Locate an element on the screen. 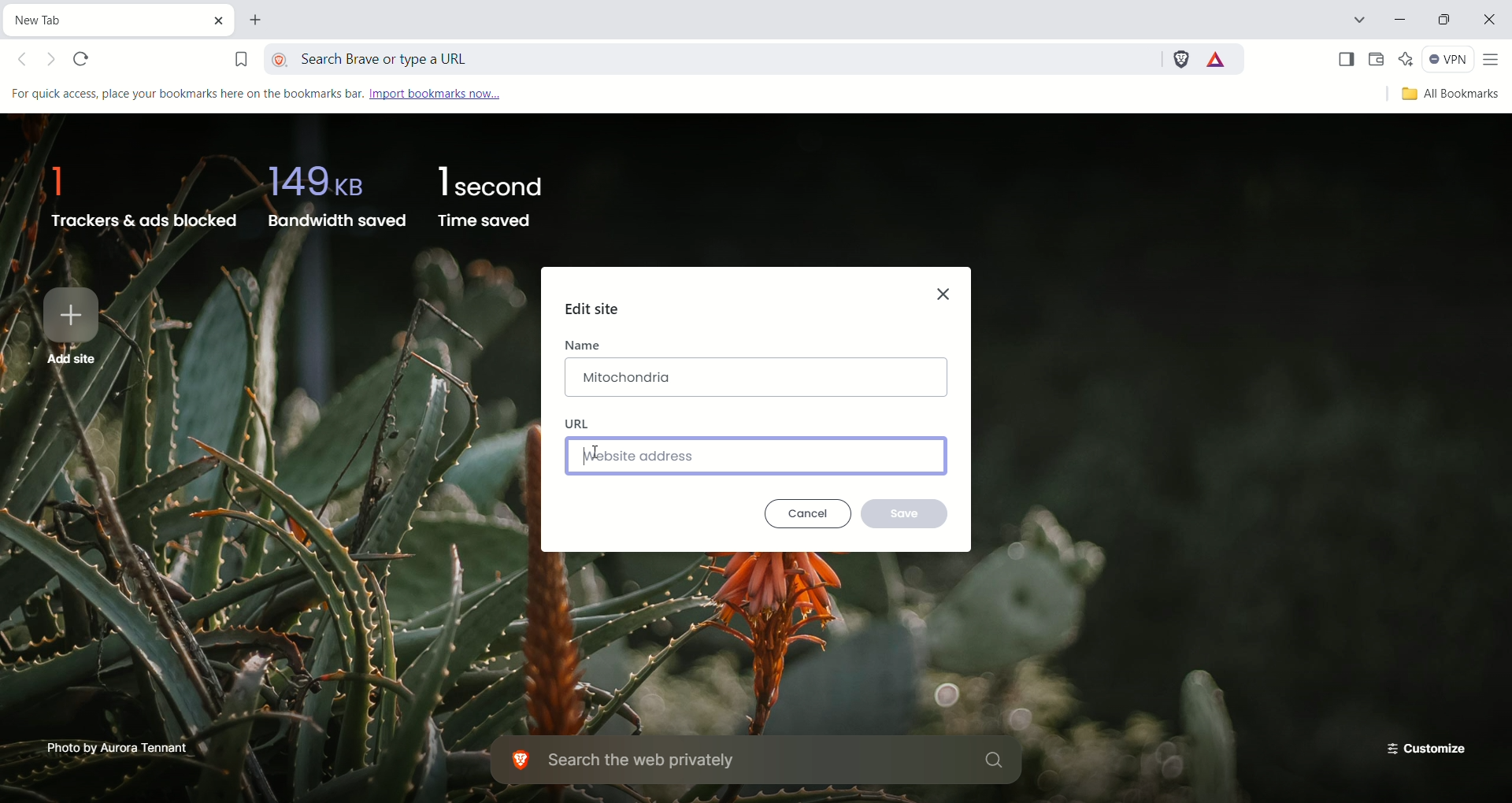  leo AI is located at coordinates (1406, 59).